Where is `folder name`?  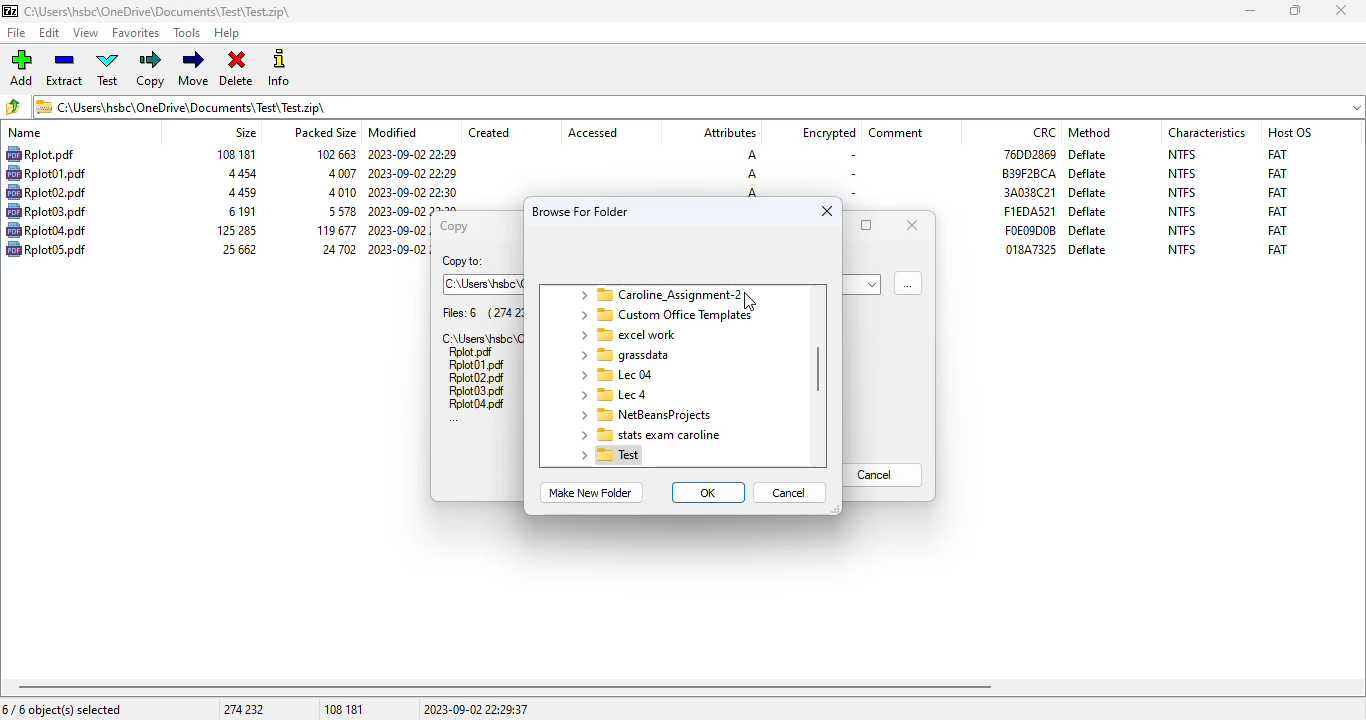
folder name is located at coordinates (612, 394).